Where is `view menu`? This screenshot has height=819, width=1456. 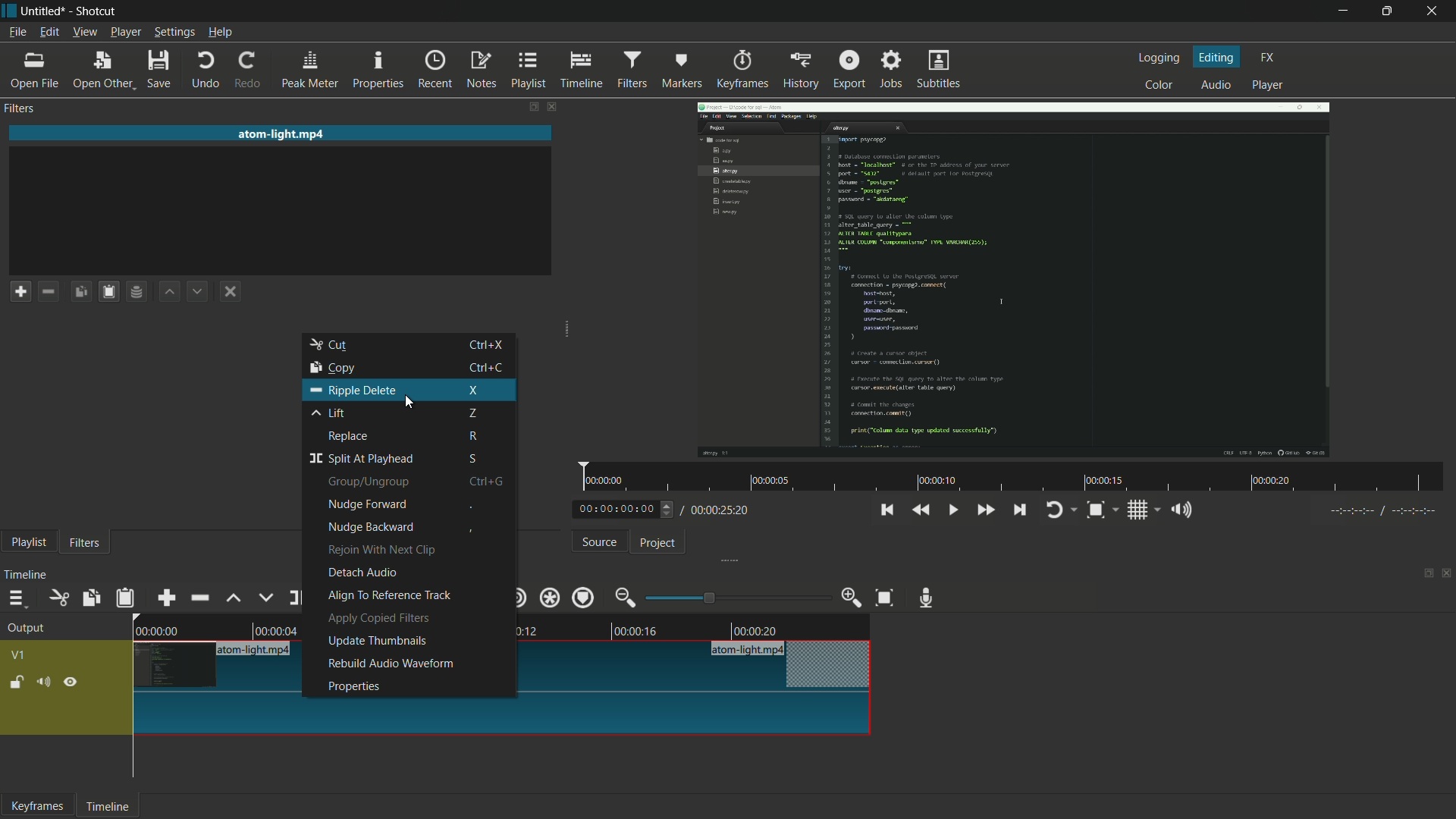
view menu is located at coordinates (84, 31).